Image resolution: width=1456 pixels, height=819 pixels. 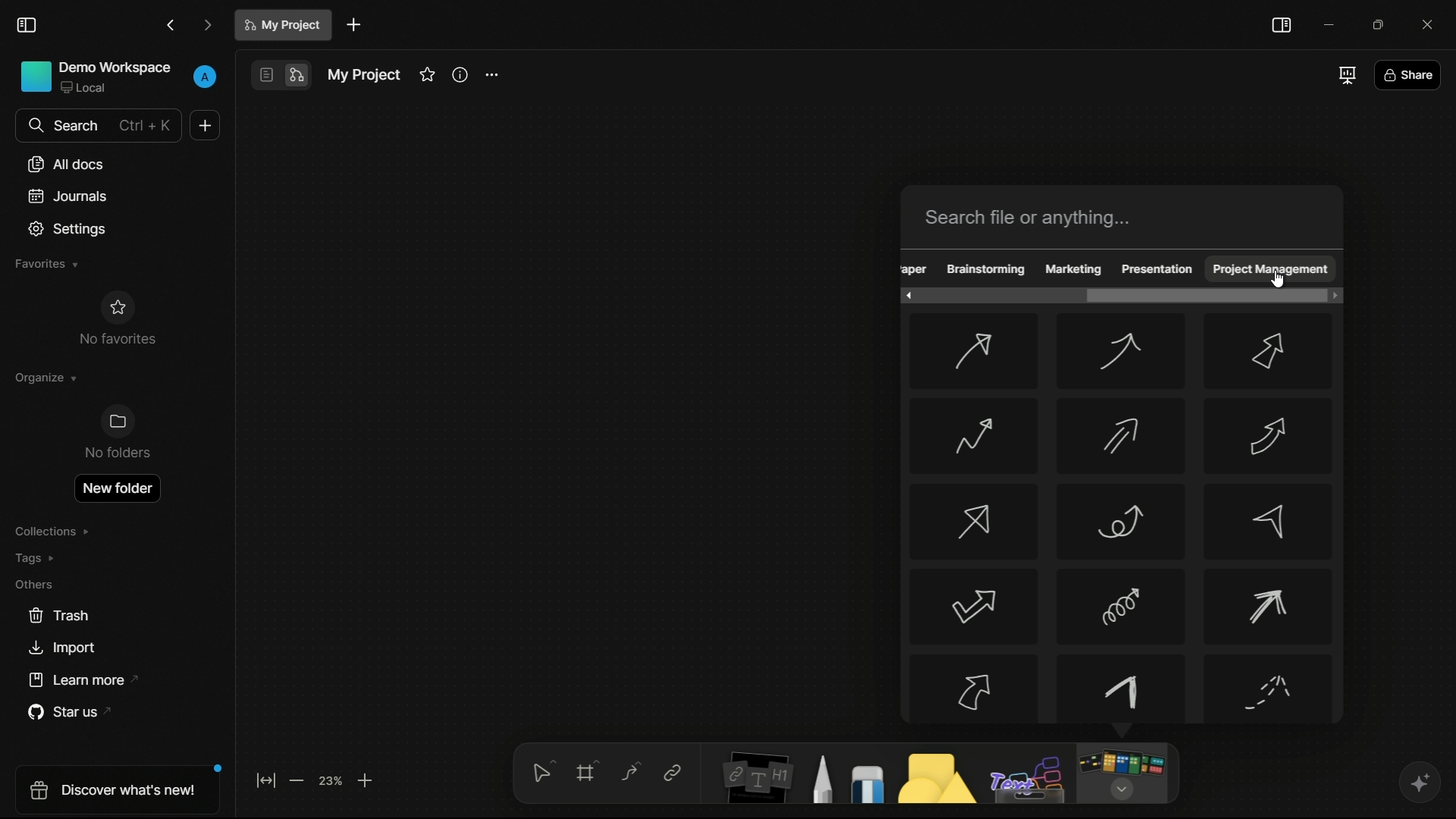 What do you see at coordinates (1119, 522) in the screenshot?
I see `arrow-8` at bounding box center [1119, 522].